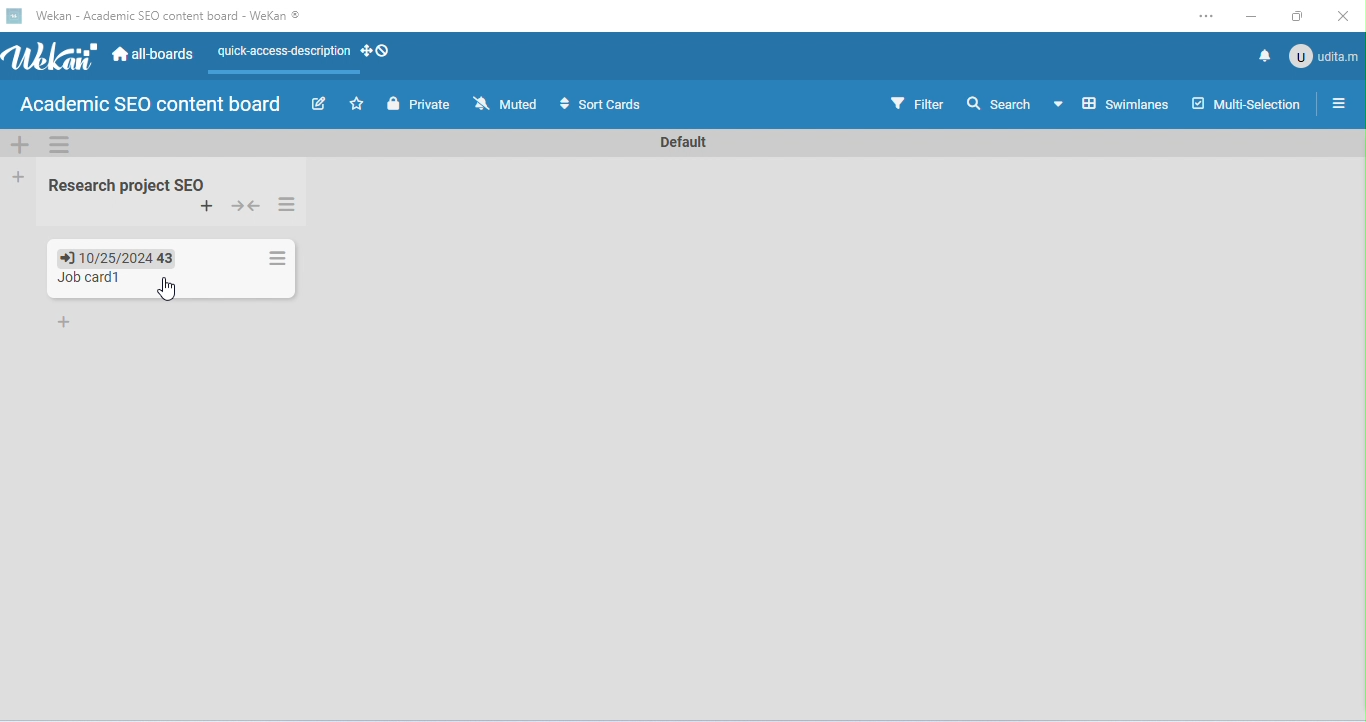 This screenshot has width=1366, height=722. I want to click on add card to top of list, so click(207, 207).